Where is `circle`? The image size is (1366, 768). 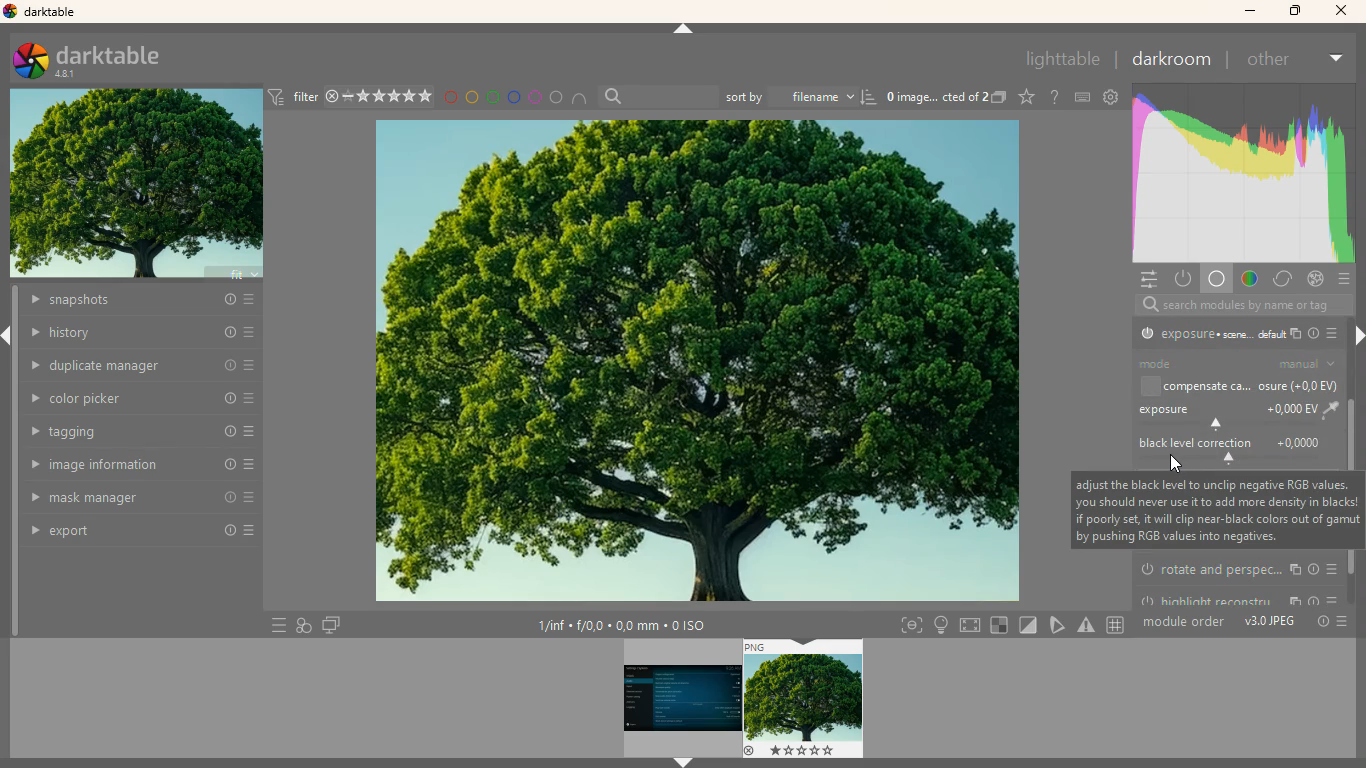 circle is located at coordinates (556, 95).